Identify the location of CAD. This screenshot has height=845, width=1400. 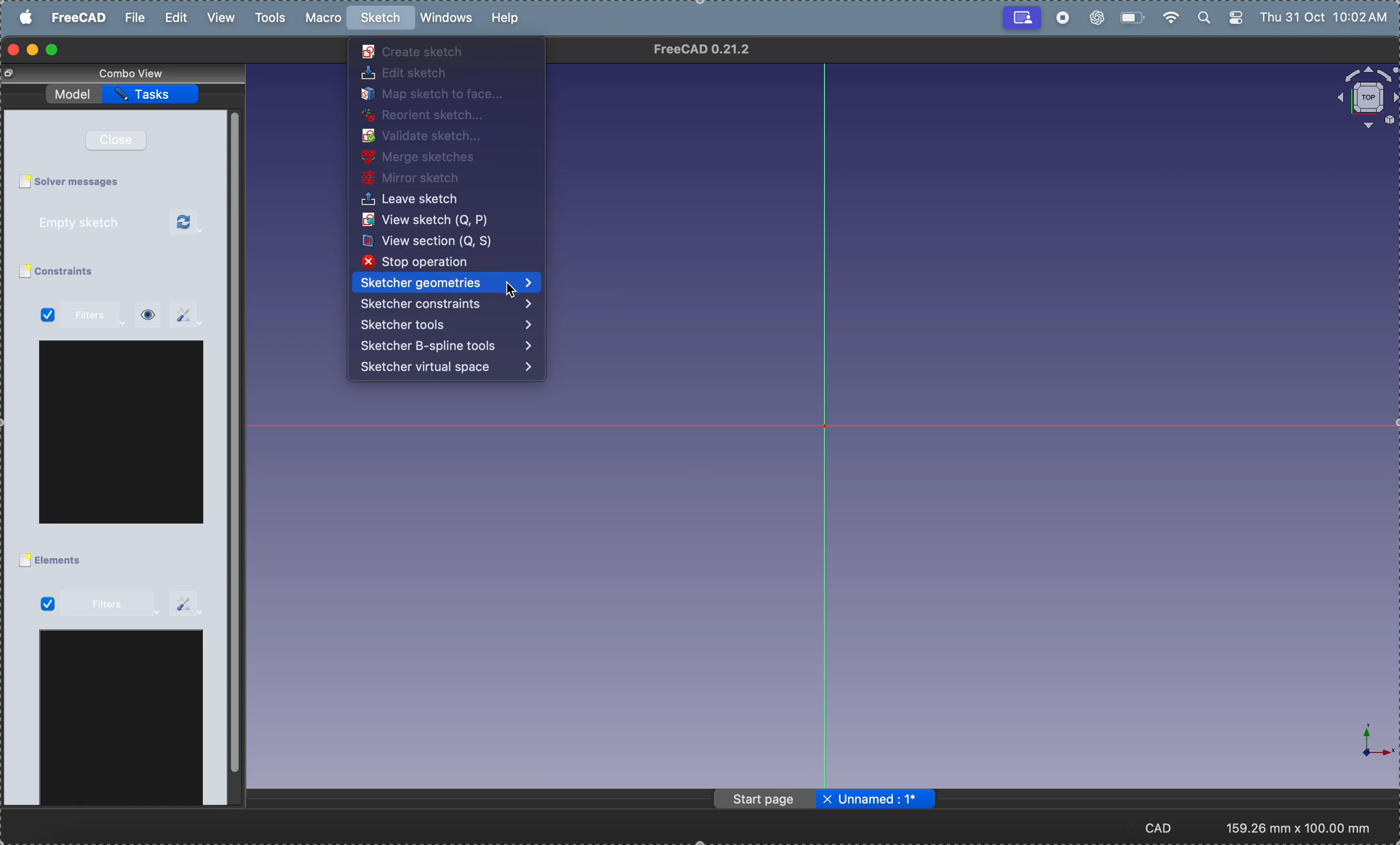
(1166, 827).